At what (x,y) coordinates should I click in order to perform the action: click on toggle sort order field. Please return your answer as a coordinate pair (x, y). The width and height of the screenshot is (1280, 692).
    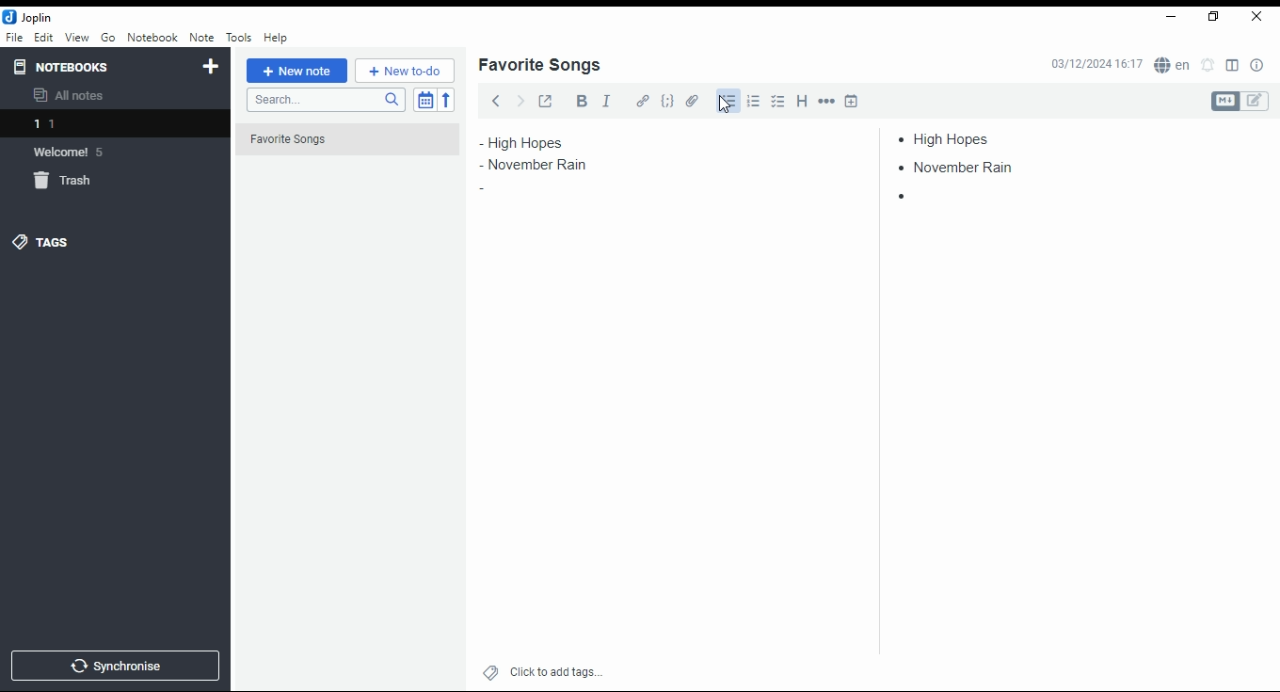
    Looking at the image, I should click on (425, 100).